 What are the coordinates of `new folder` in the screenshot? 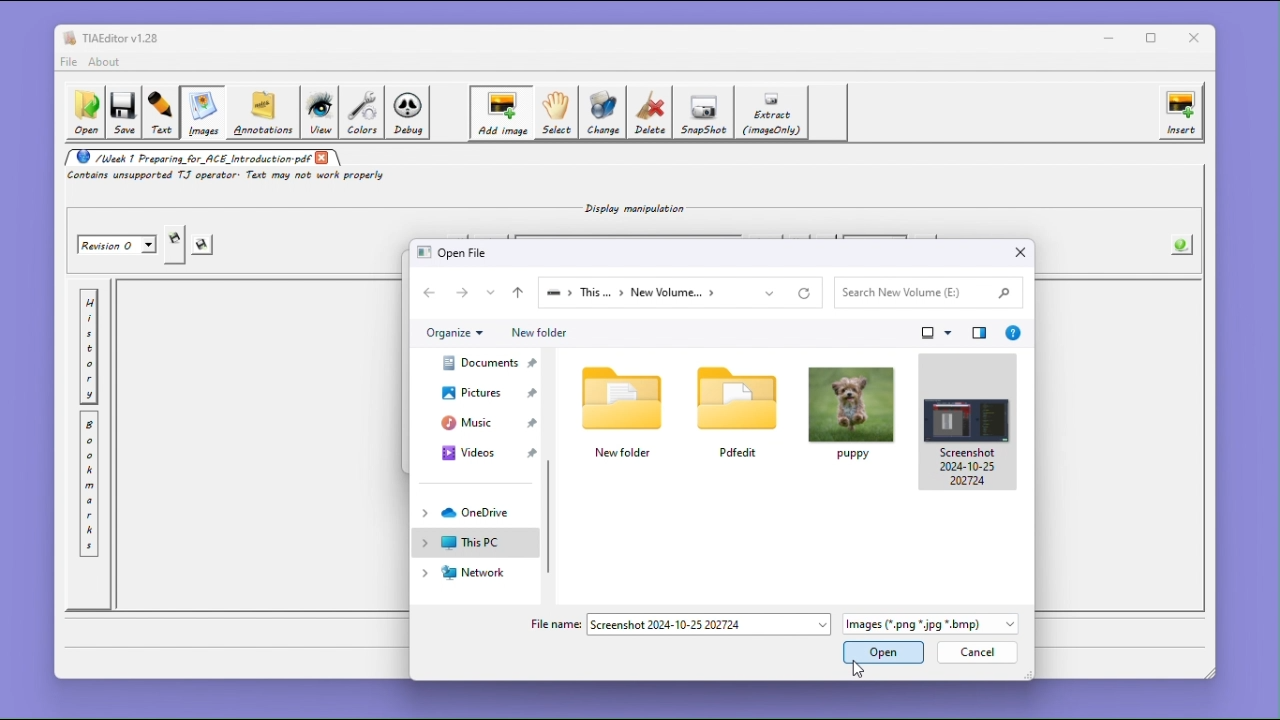 It's located at (625, 410).